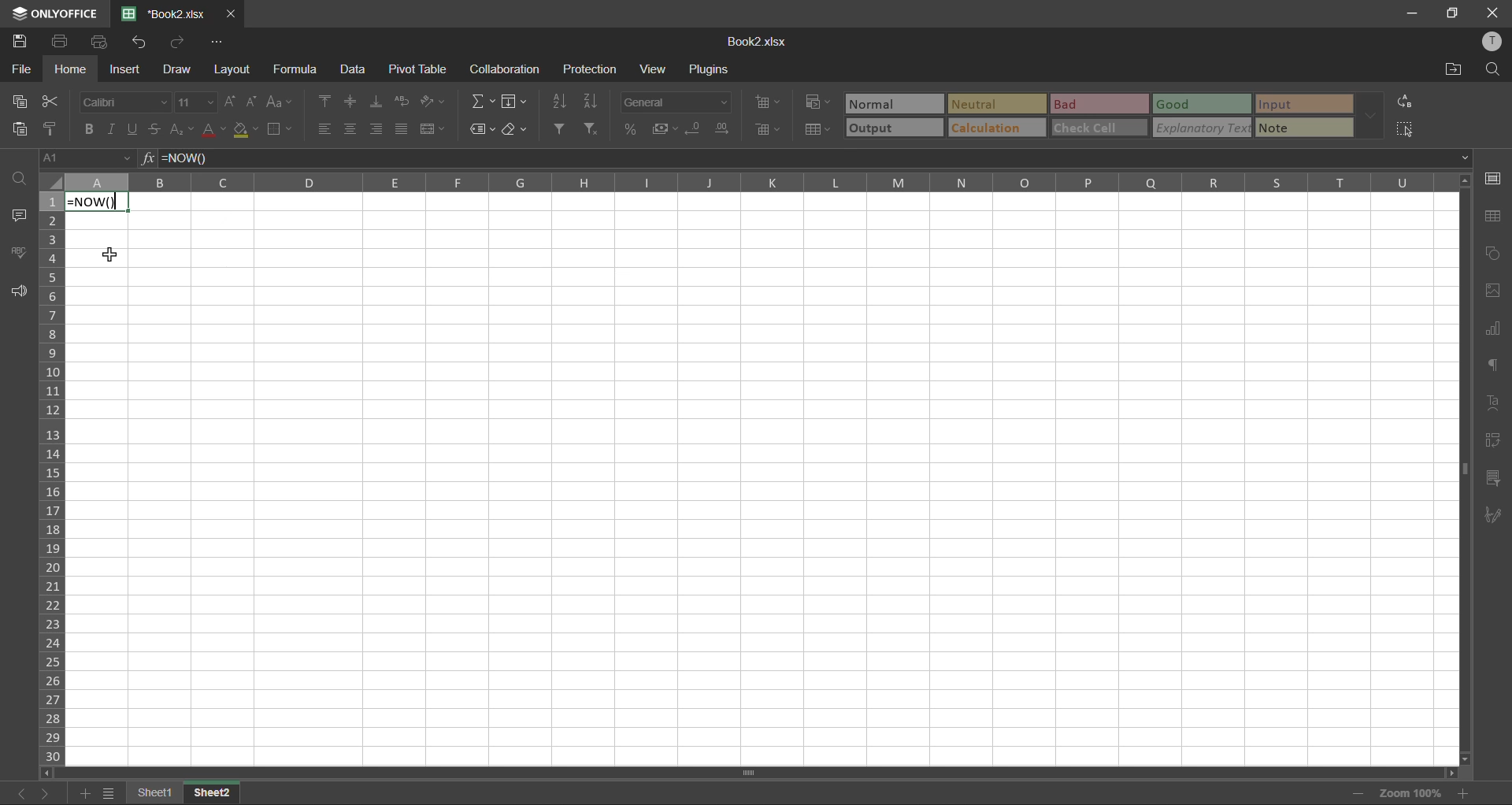 Image resolution: width=1512 pixels, height=805 pixels. I want to click on formula, so click(207, 158).